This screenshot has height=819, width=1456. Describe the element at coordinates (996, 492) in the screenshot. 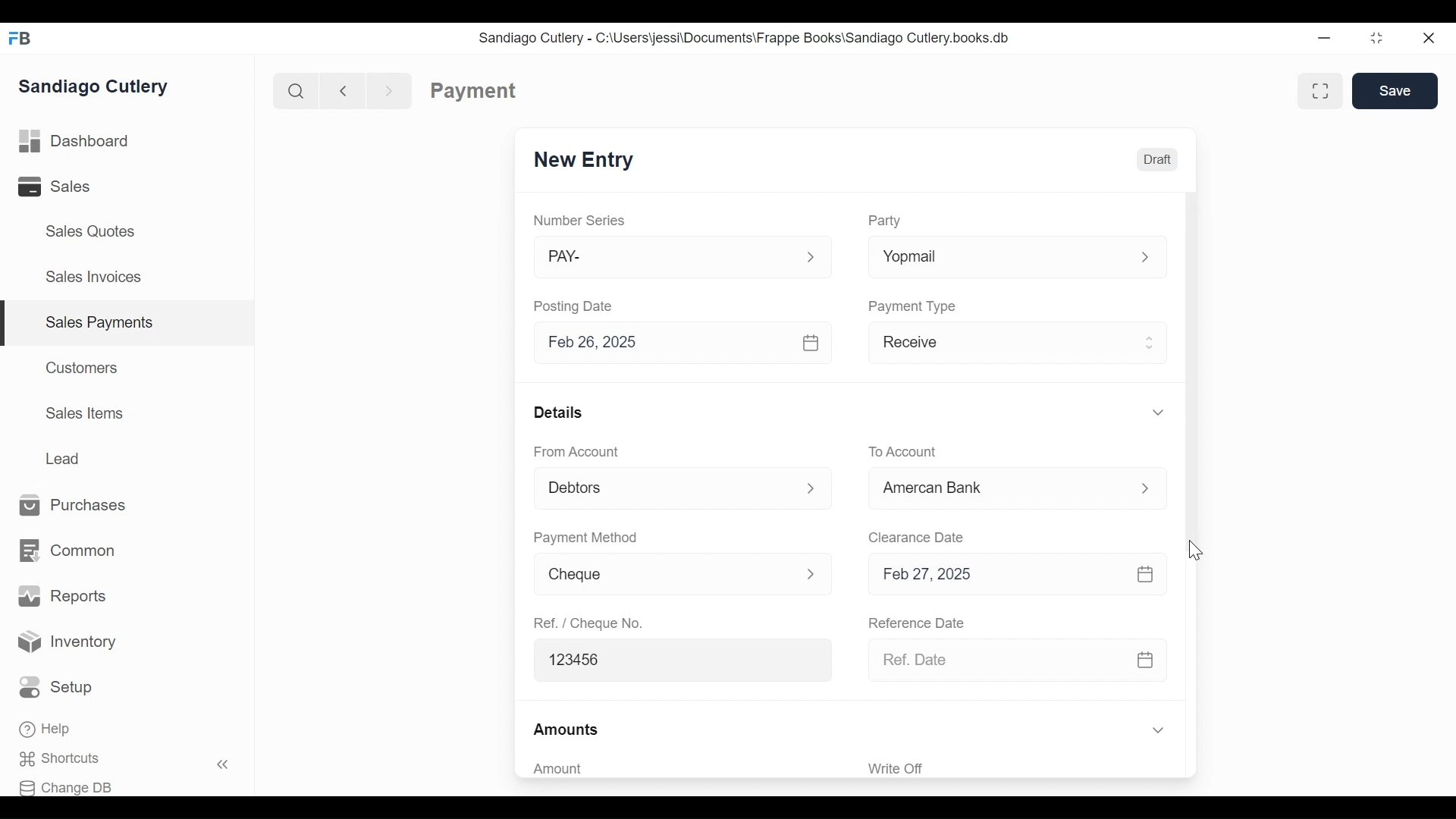

I see `Cash` at that location.